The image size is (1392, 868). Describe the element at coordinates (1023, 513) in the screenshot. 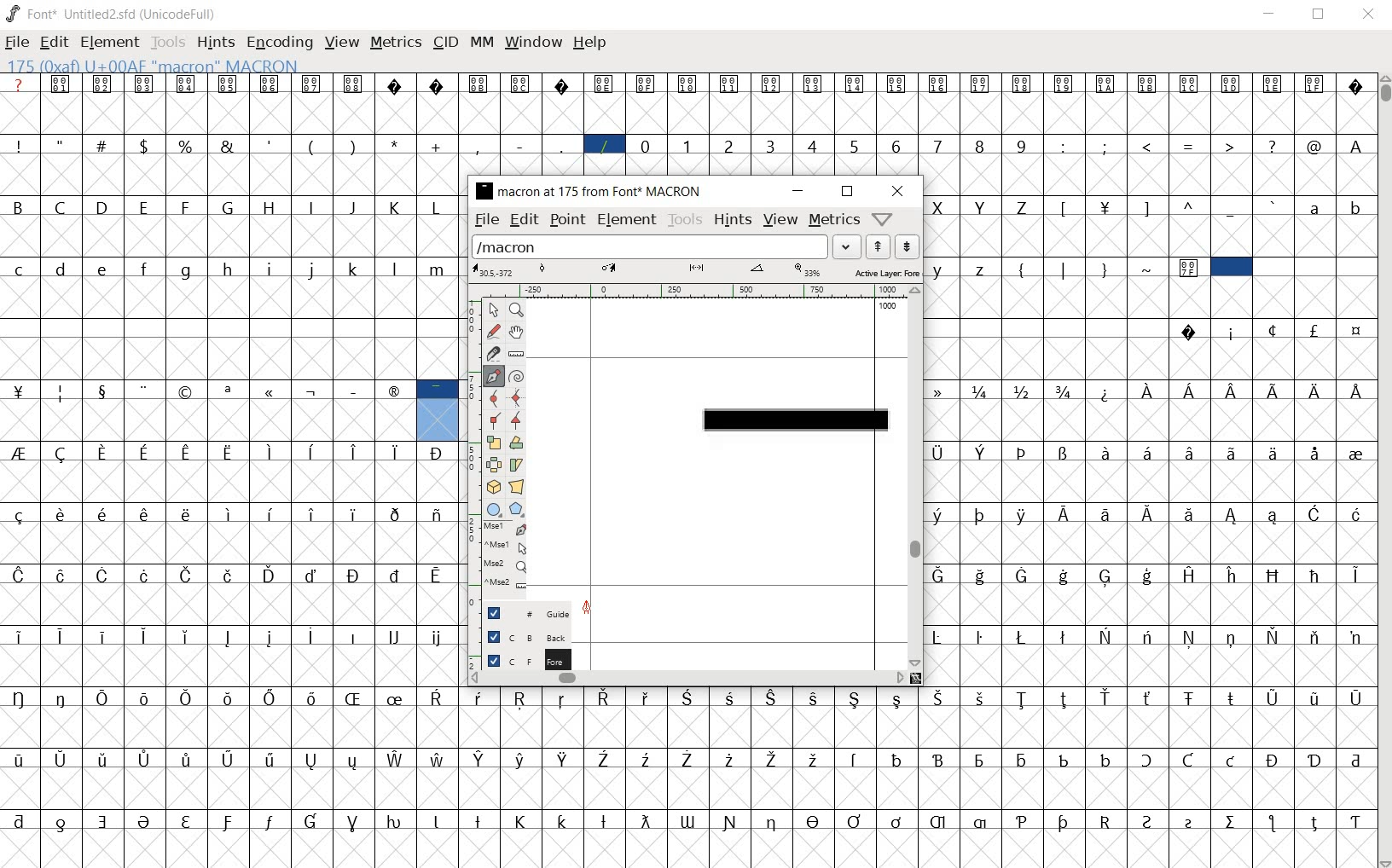

I see `Symbol` at that location.